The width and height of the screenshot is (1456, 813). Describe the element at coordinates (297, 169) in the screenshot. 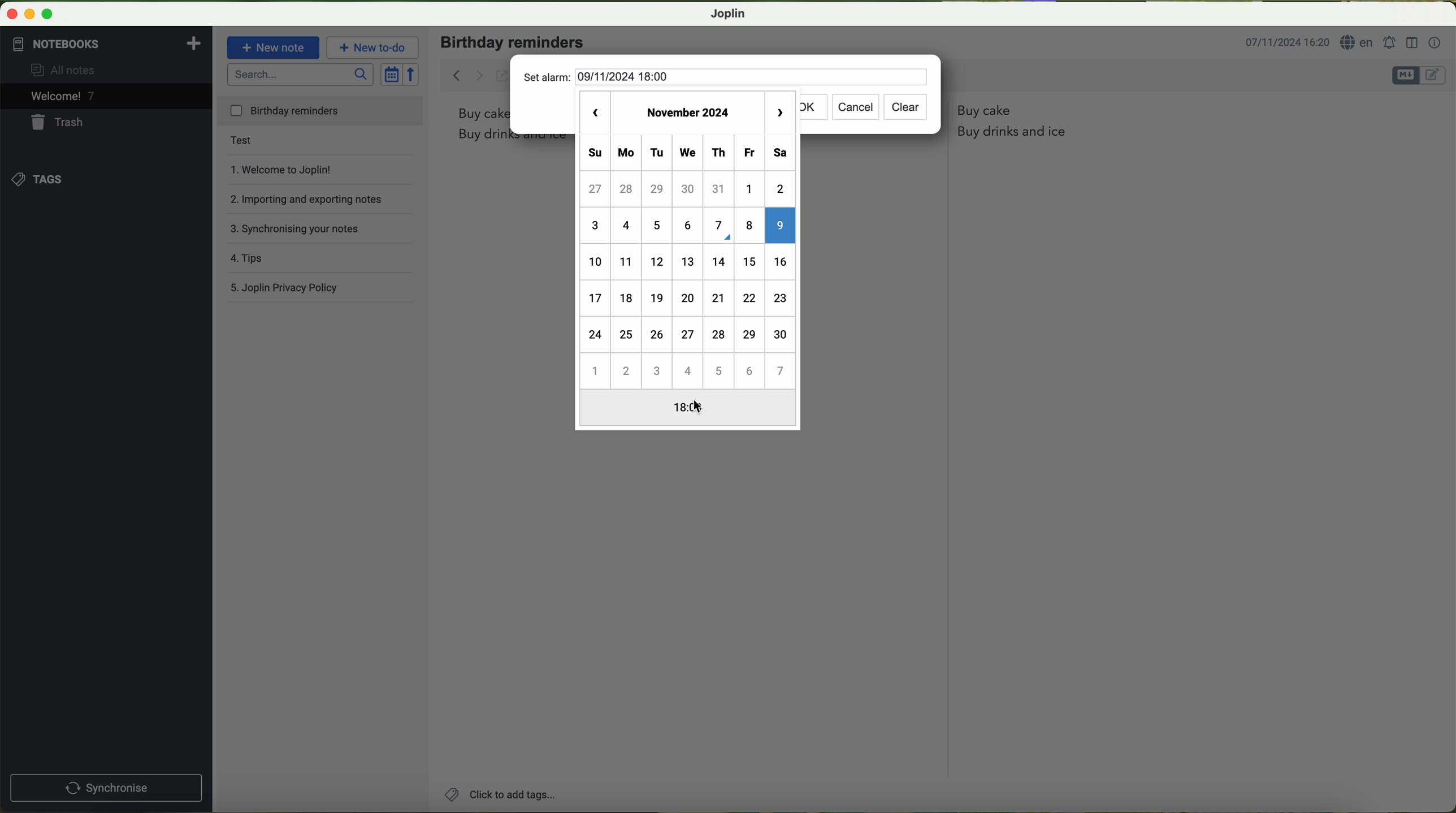

I see `welcome to Joplin` at that location.